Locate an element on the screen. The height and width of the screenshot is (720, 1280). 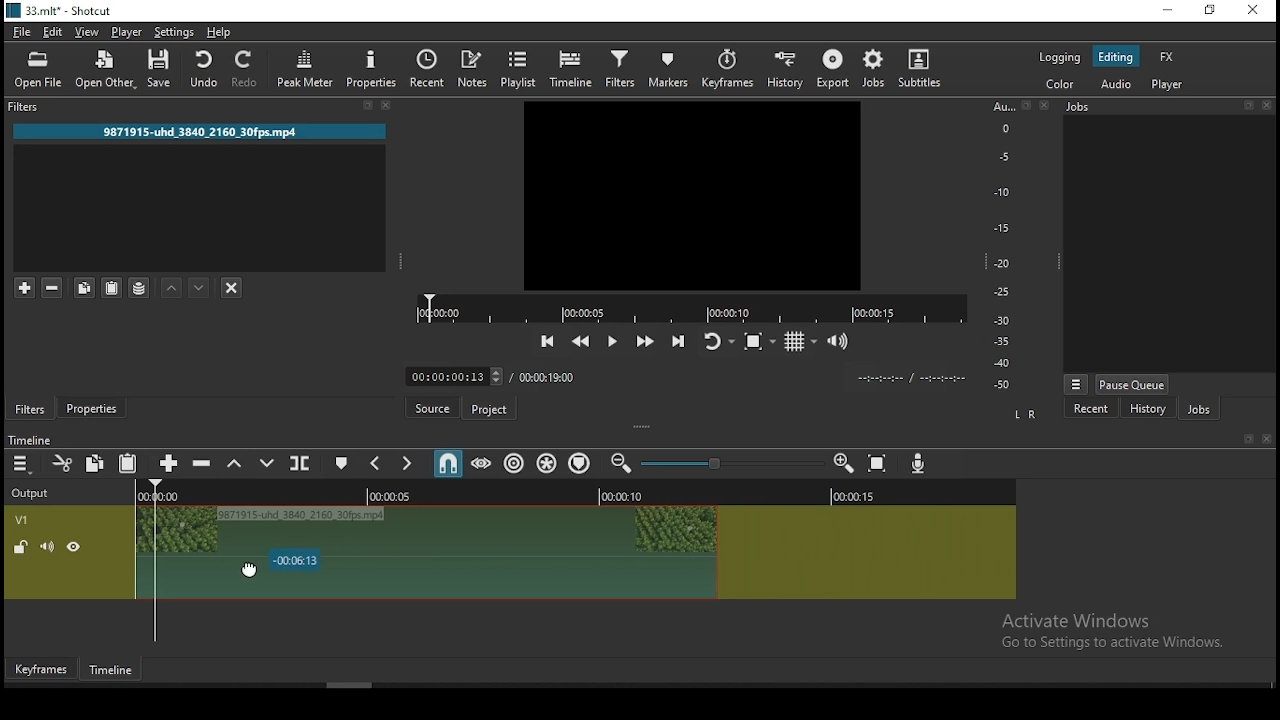
peak meter is located at coordinates (305, 70).